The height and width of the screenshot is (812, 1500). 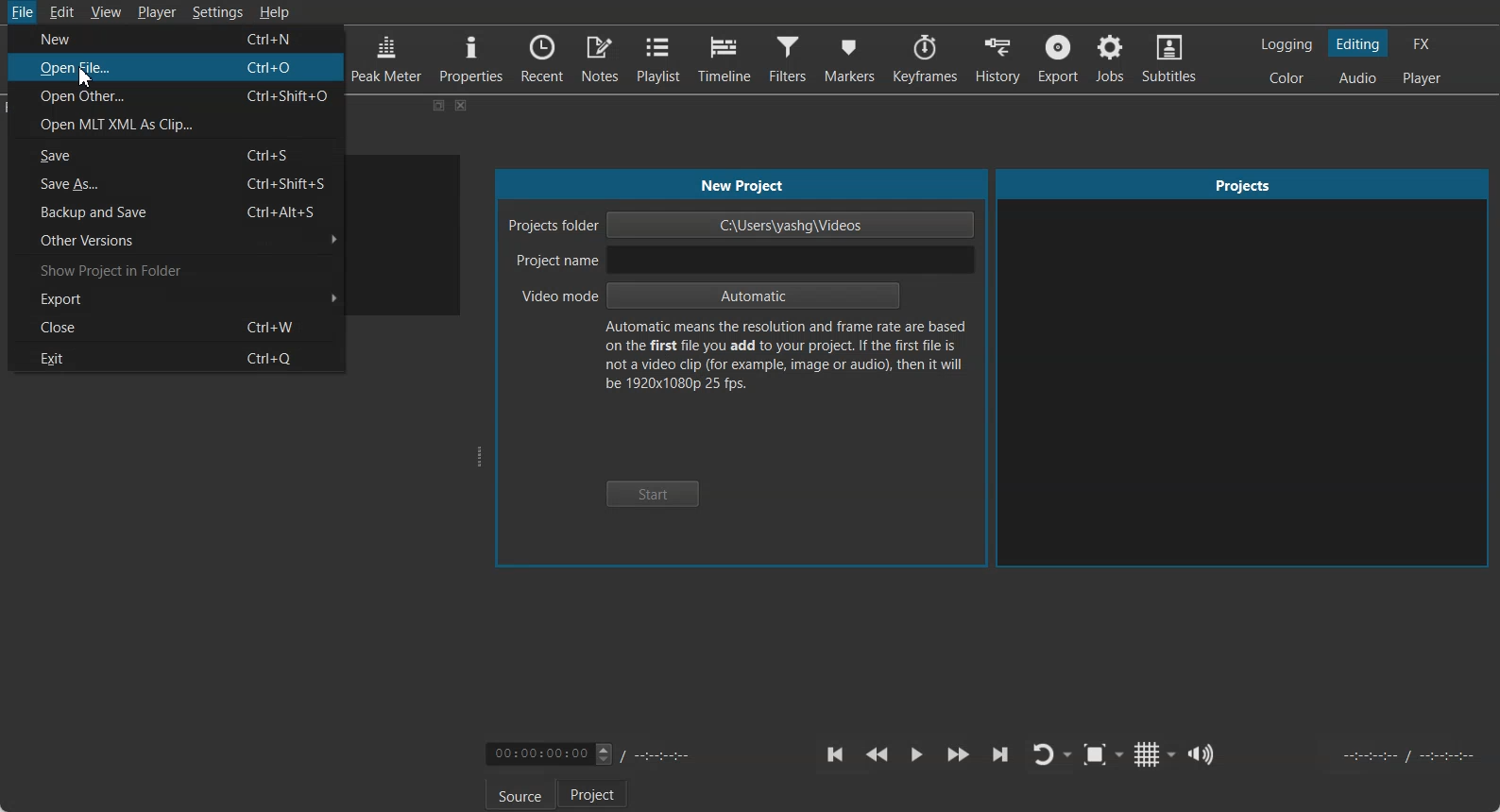 What do you see at coordinates (661, 755) in the screenshot?
I see `Timing ` at bounding box center [661, 755].